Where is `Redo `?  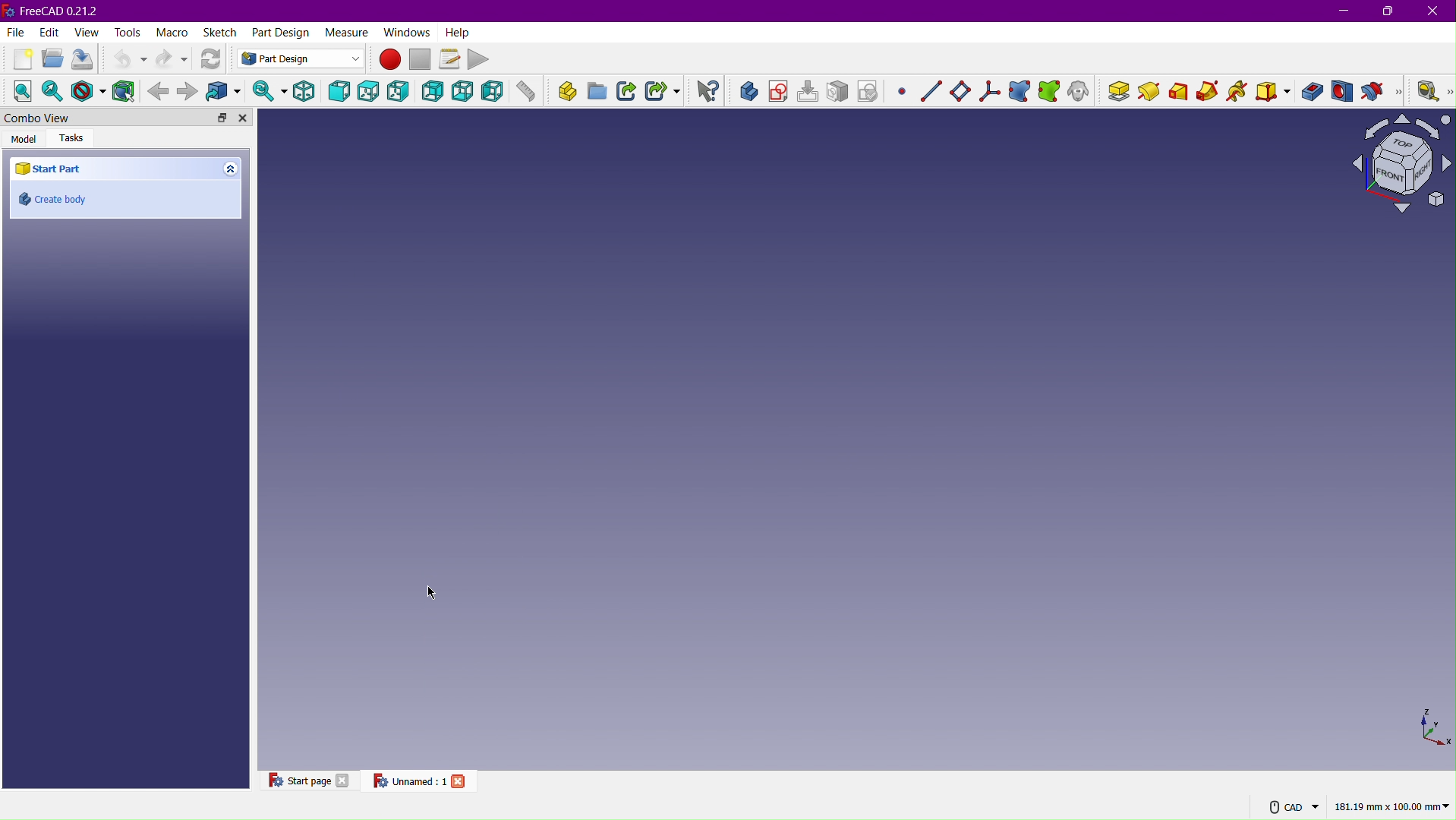
Redo  is located at coordinates (171, 58).